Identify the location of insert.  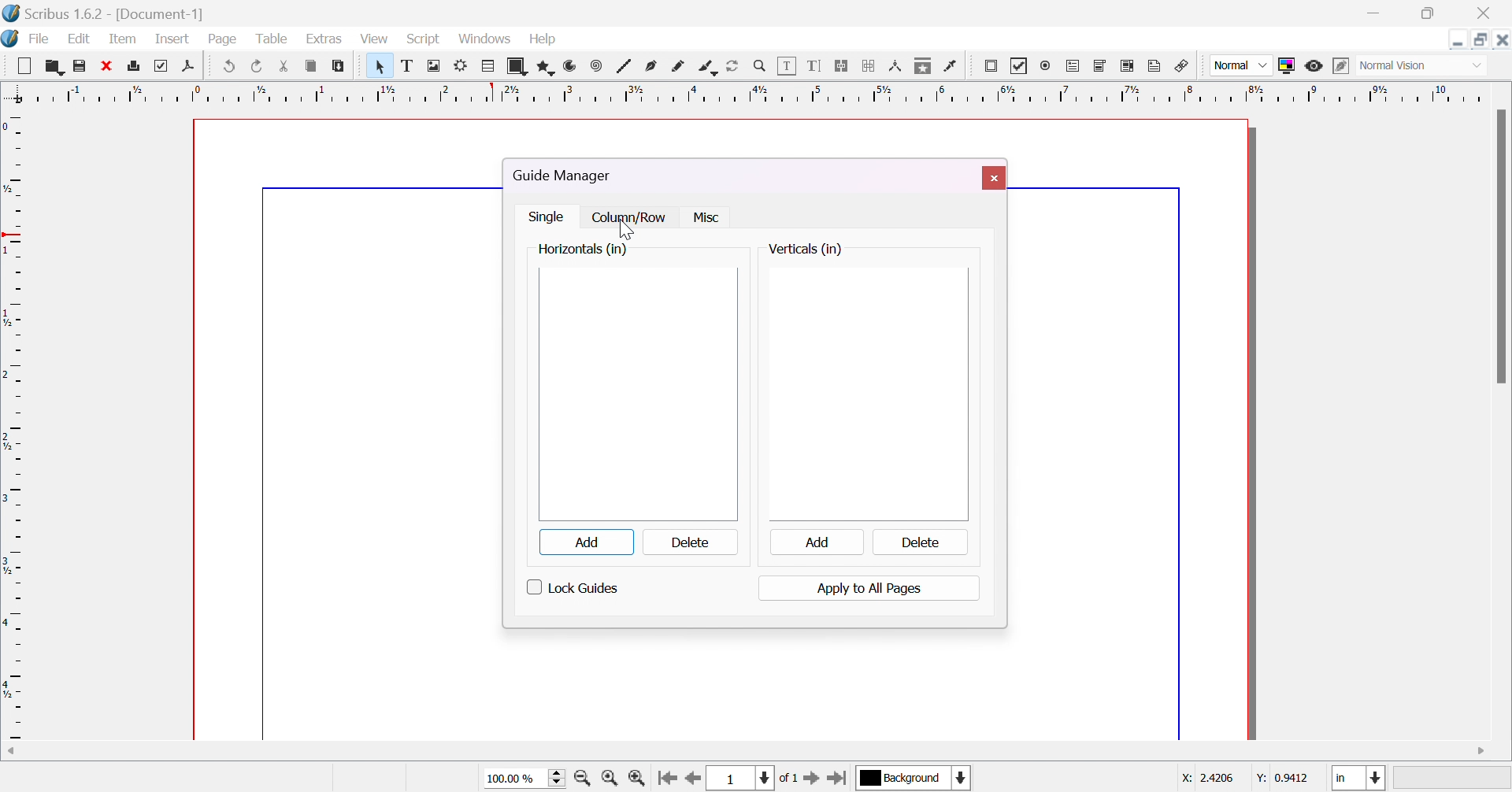
(169, 38).